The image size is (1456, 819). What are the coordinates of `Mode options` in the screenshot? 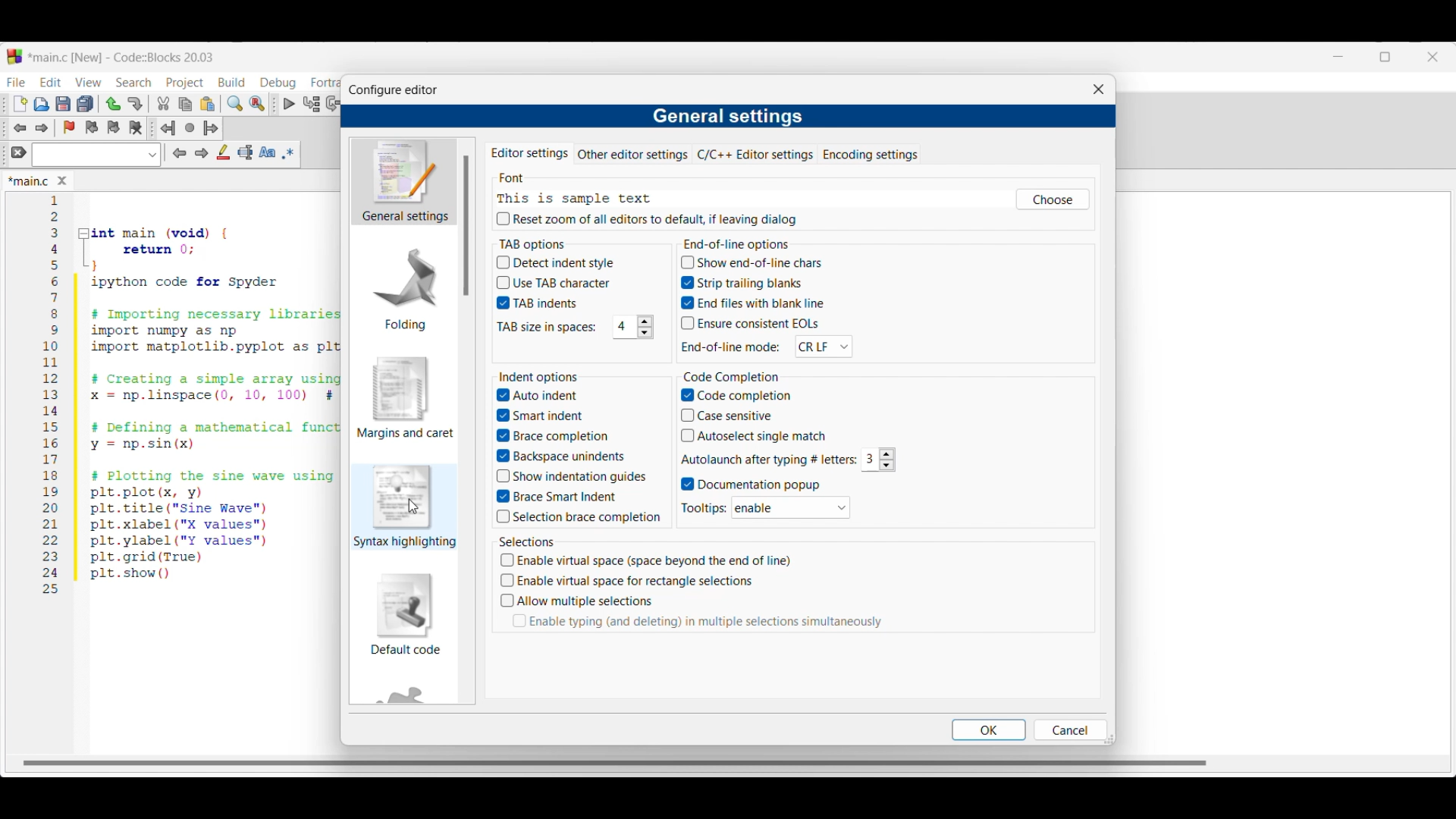 It's located at (824, 347).